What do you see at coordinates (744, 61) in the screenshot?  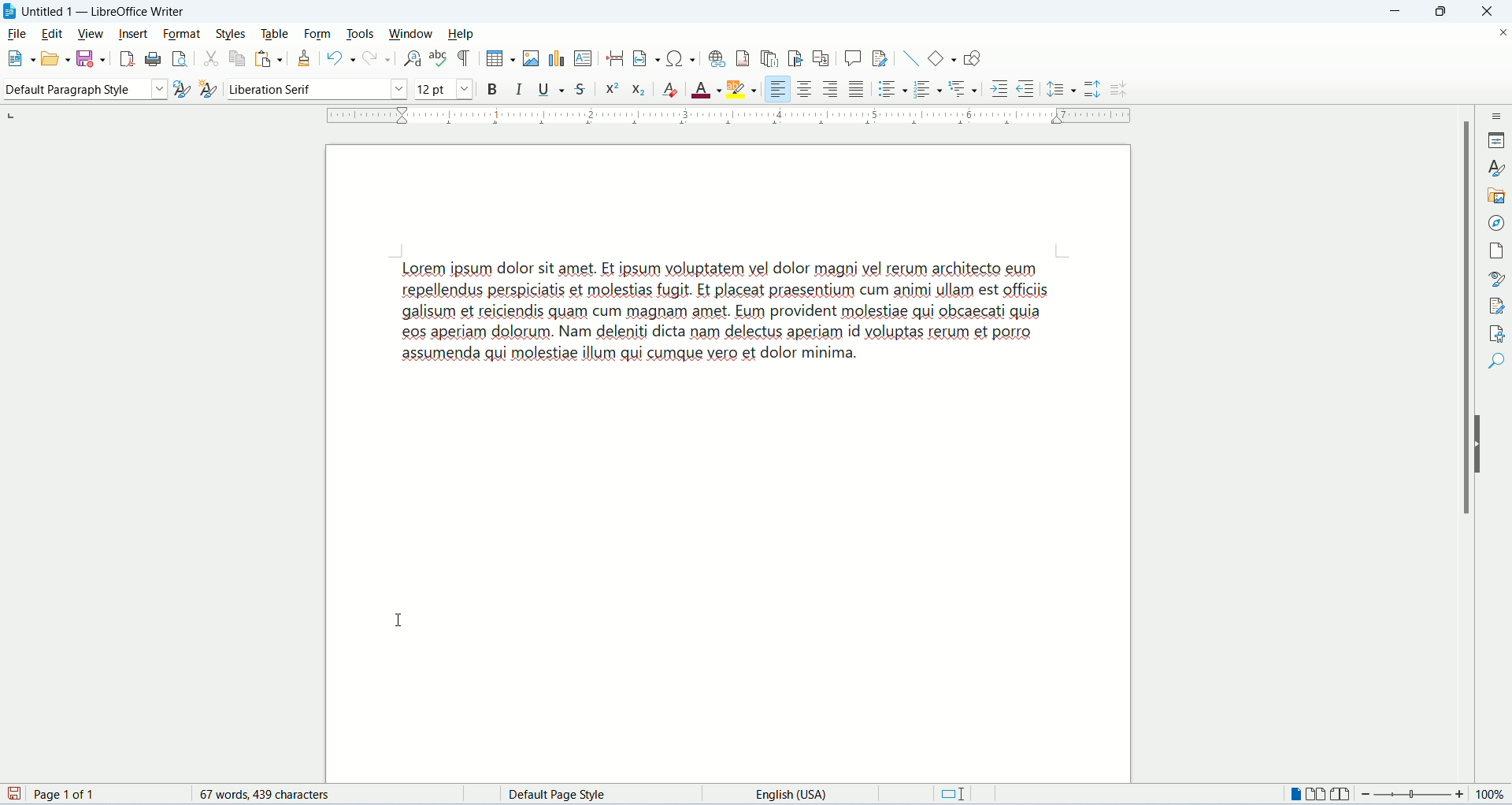 I see `insert footnote` at bounding box center [744, 61].